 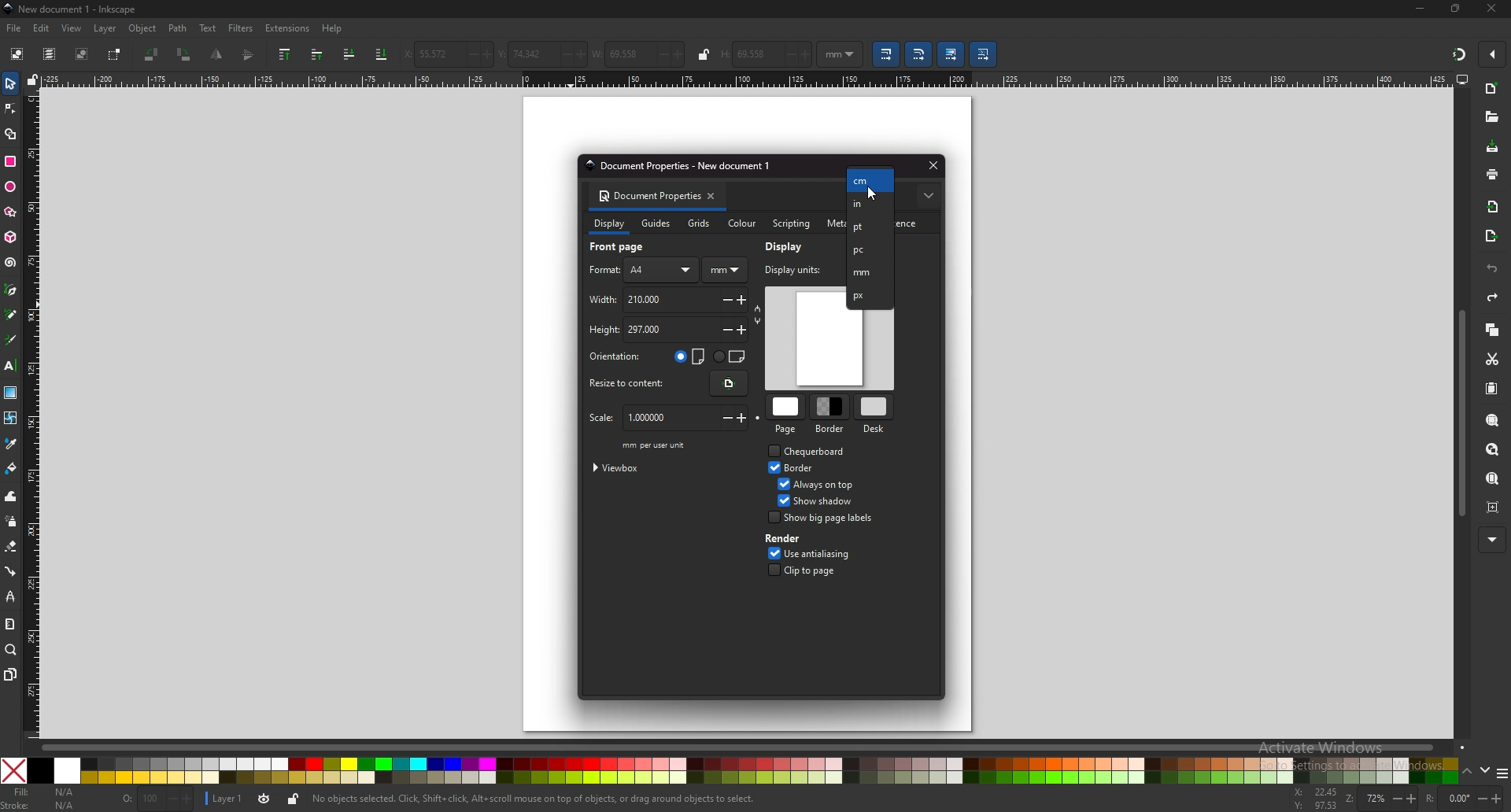 I want to click on enable snapping, so click(x=1489, y=54).